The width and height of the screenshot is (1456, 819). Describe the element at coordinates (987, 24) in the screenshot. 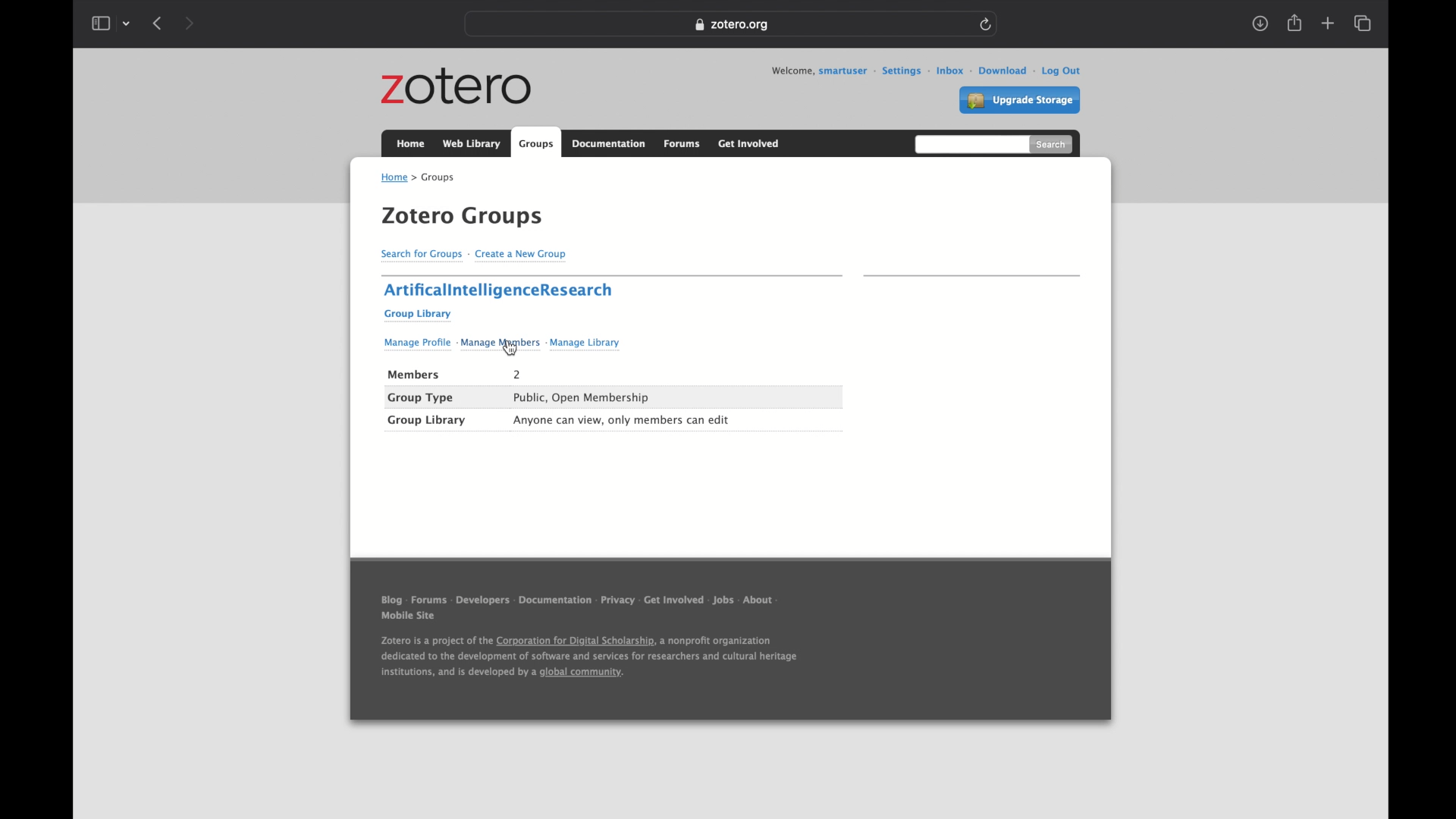

I see `refresh` at that location.